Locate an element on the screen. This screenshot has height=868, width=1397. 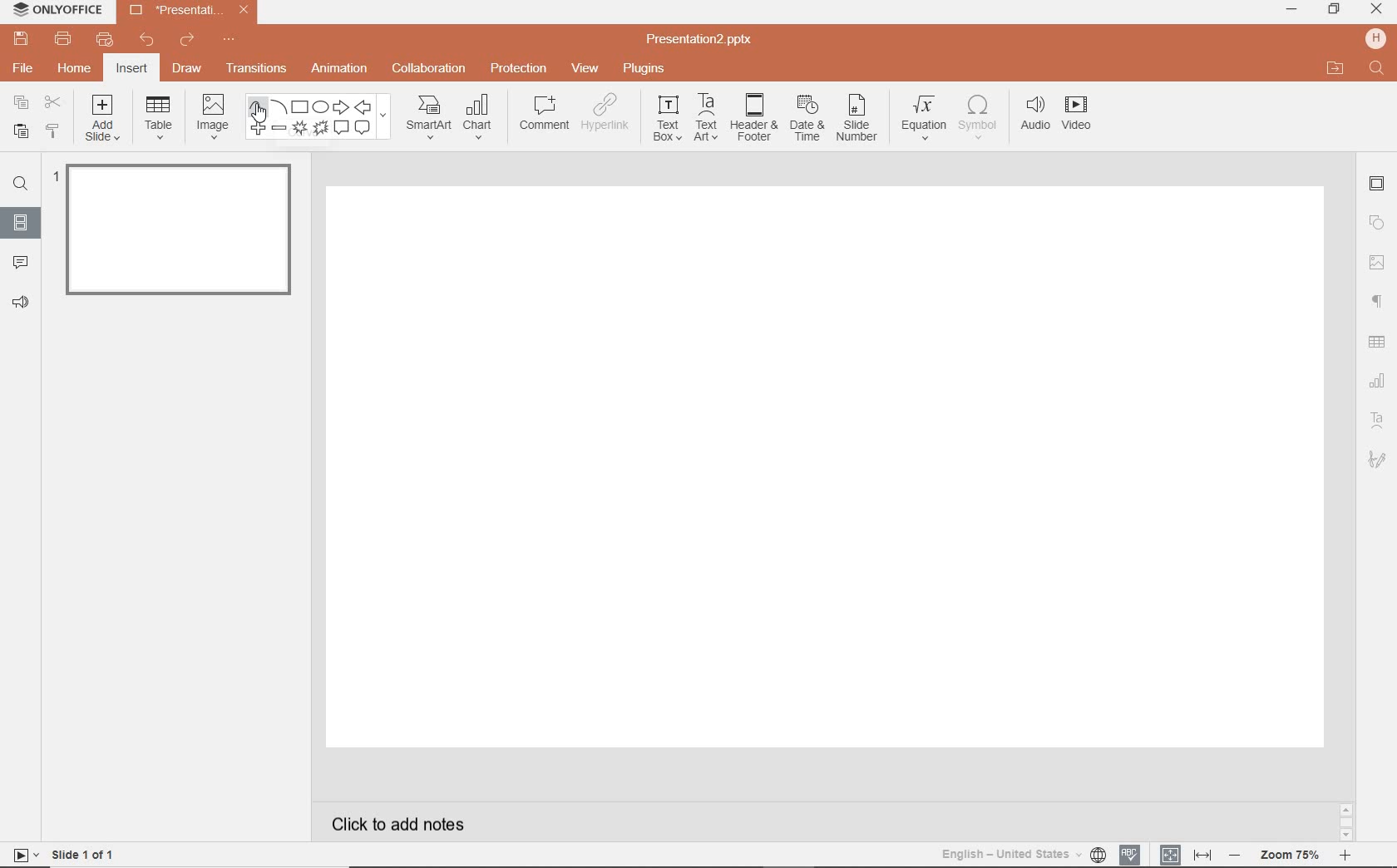
SLIDE 1 OF 1 is located at coordinates (67, 854).